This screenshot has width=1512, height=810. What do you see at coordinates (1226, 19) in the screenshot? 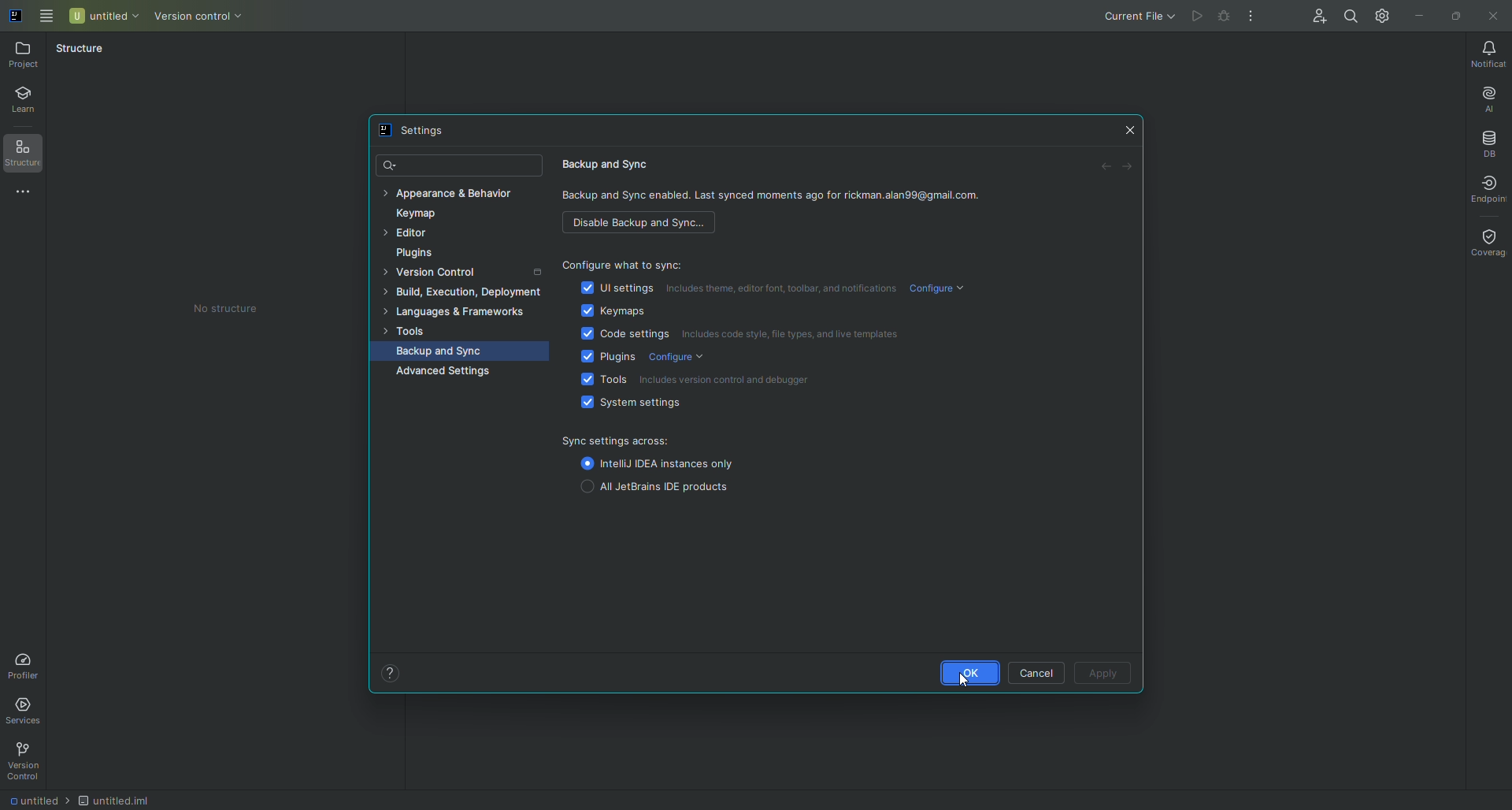
I see `Cannot run current  file` at bounding box center [1226, 19].